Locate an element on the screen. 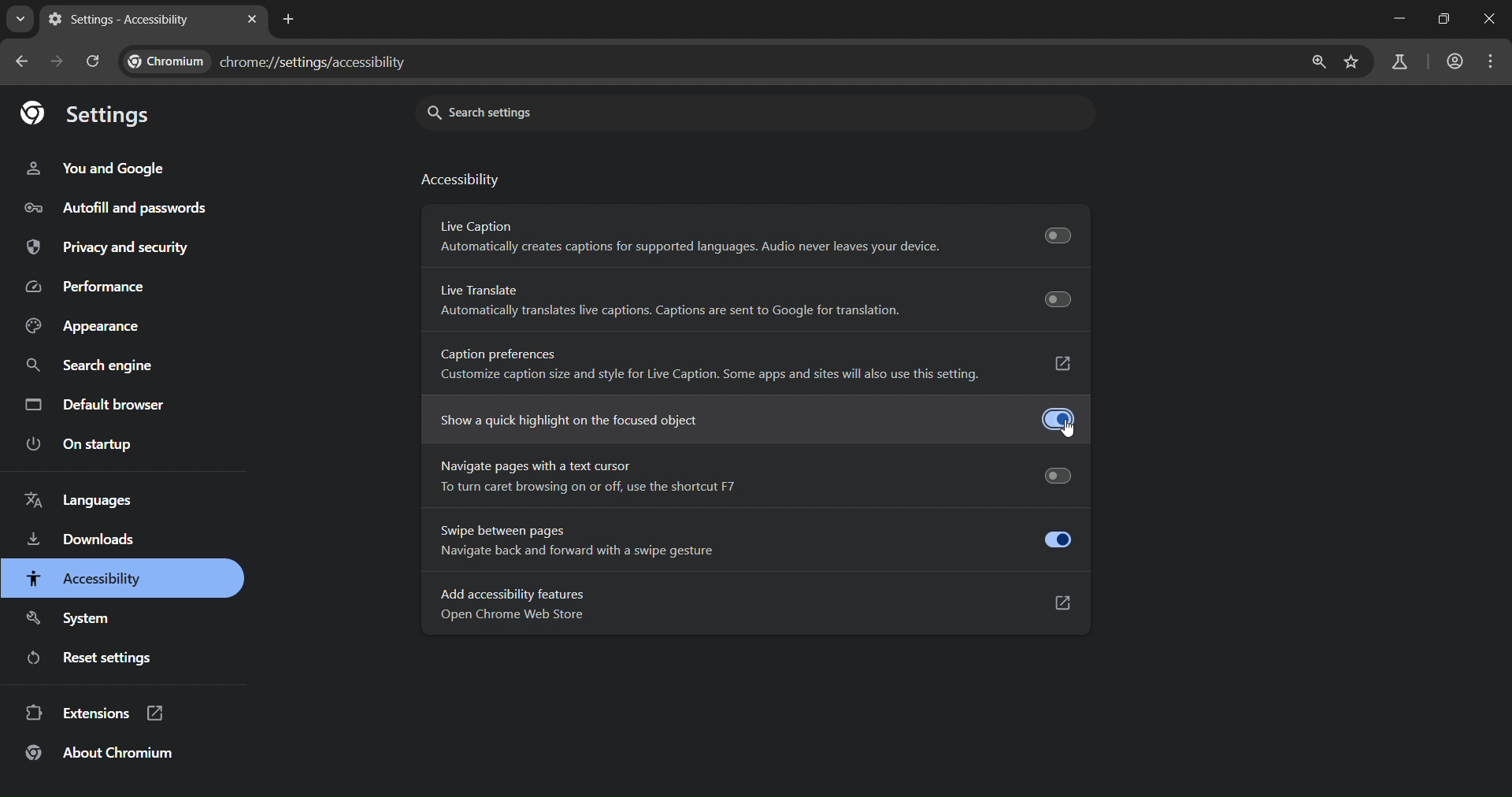  on startup is located at coordinates (82, 445).